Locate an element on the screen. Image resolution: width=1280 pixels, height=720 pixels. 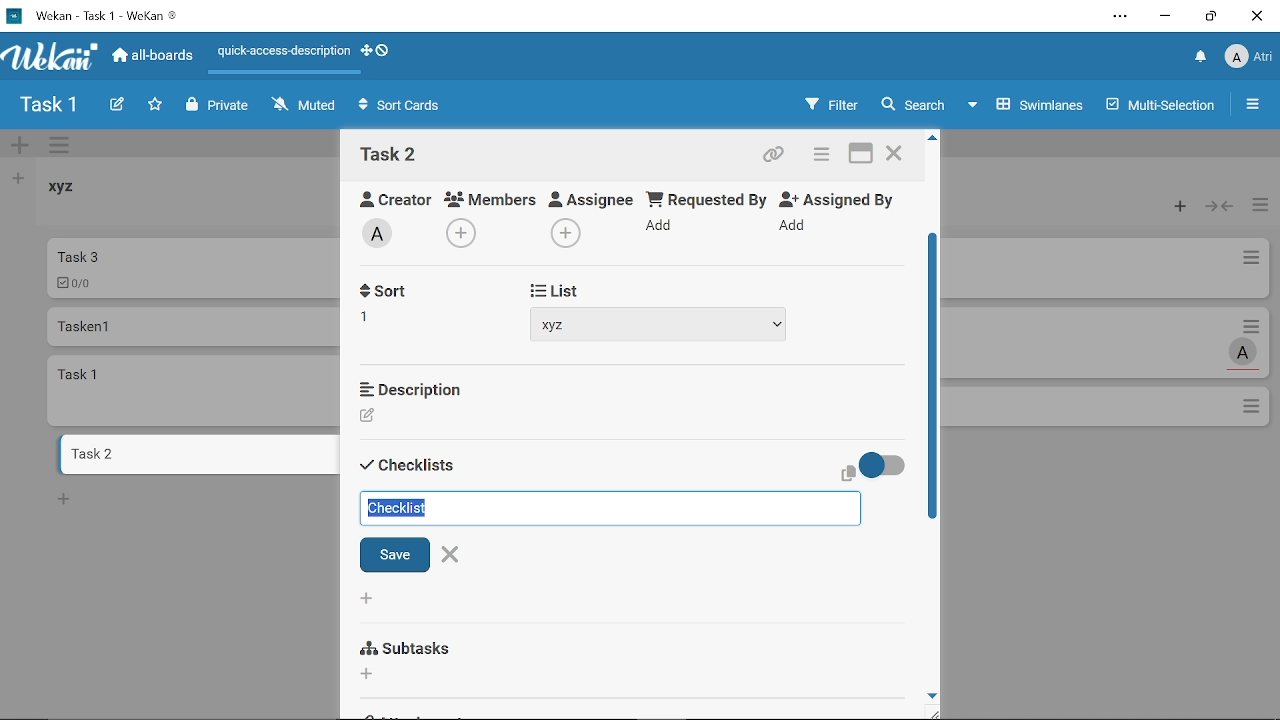
card named "task 1" is located at coordinates (195, 390).